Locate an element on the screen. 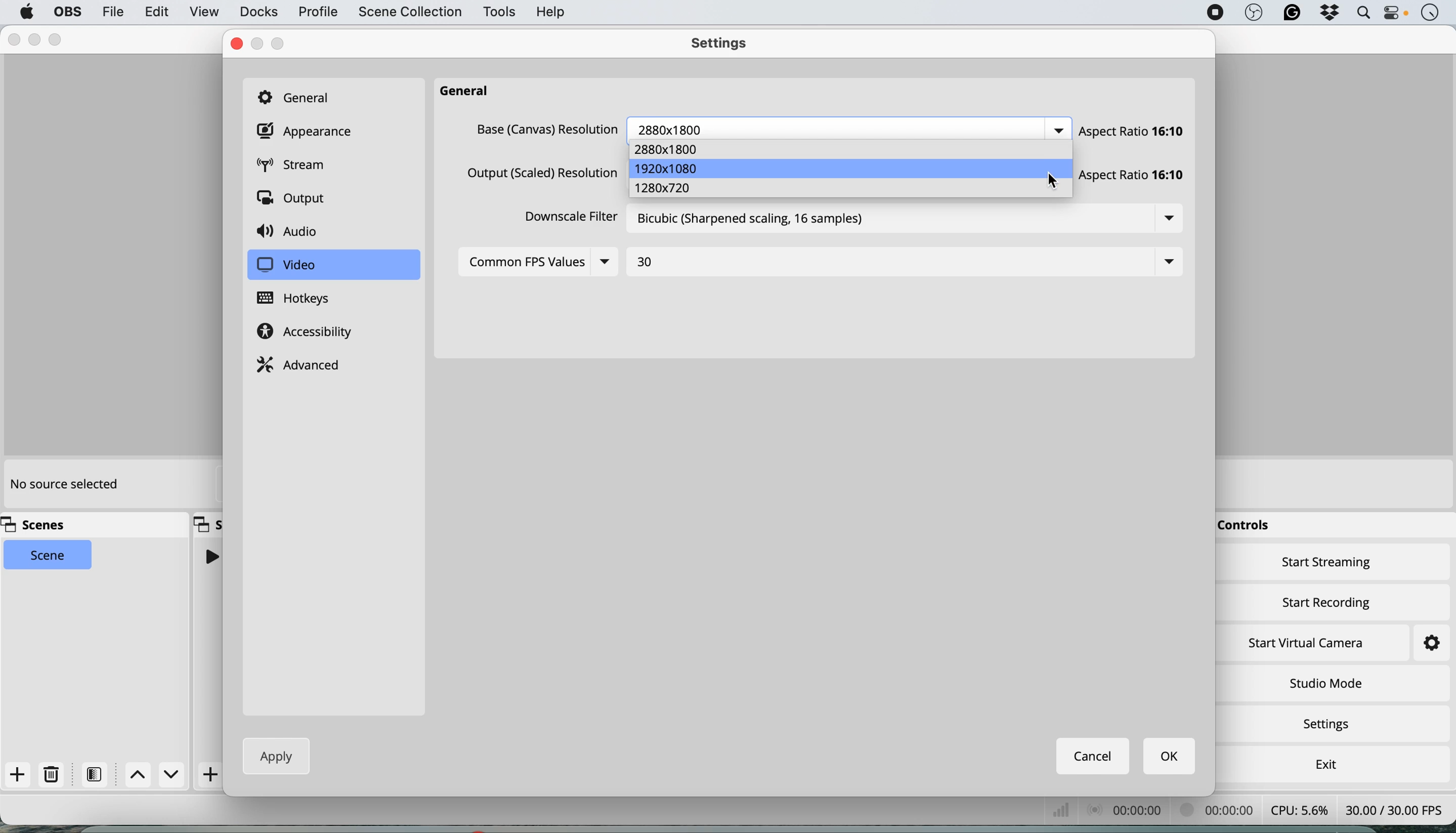 This screenshot has height=833, width=1456. audio is located at coordinates (292, 232).